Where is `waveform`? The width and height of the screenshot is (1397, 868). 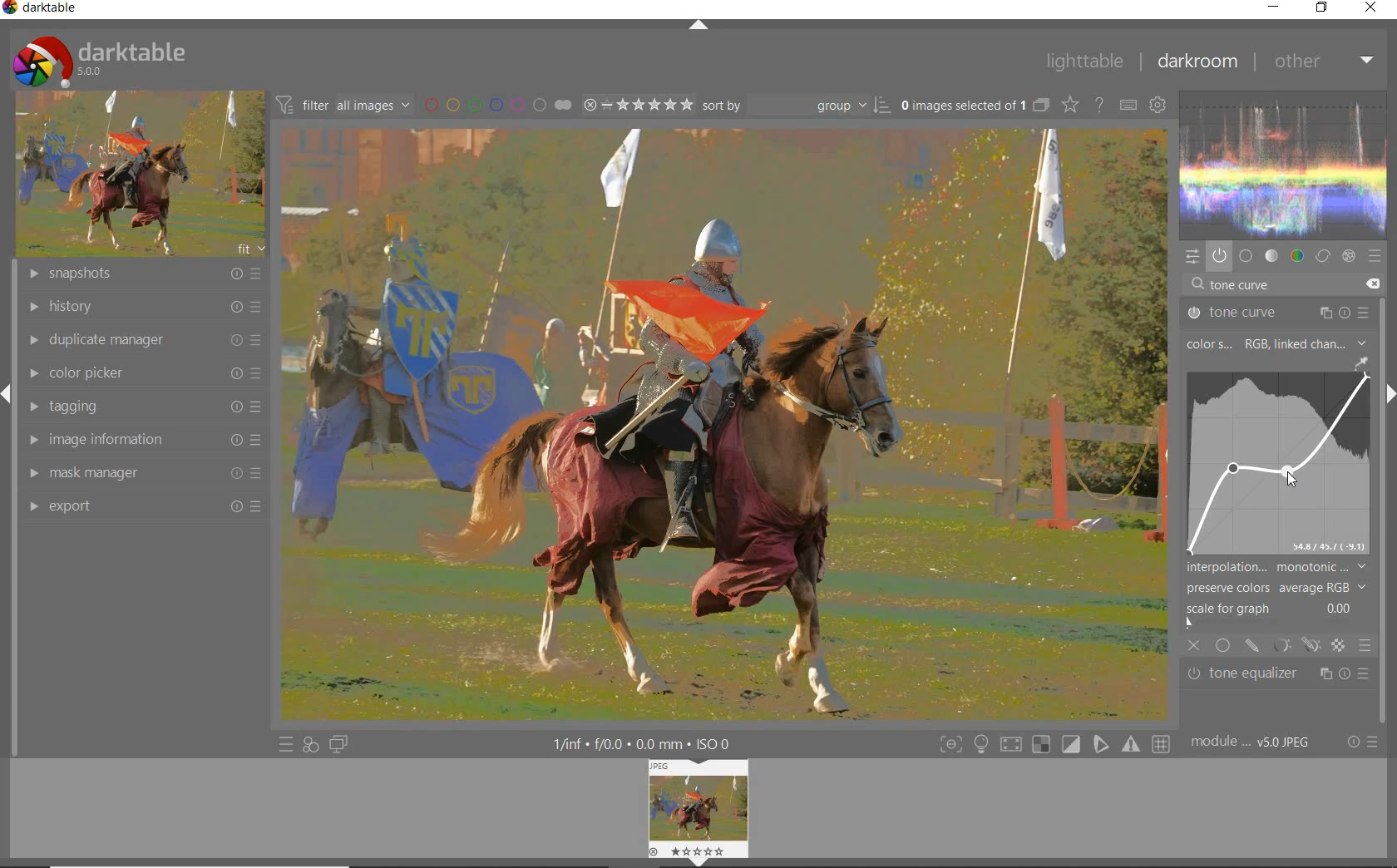 waveform is located at coordinates (1284, 163).